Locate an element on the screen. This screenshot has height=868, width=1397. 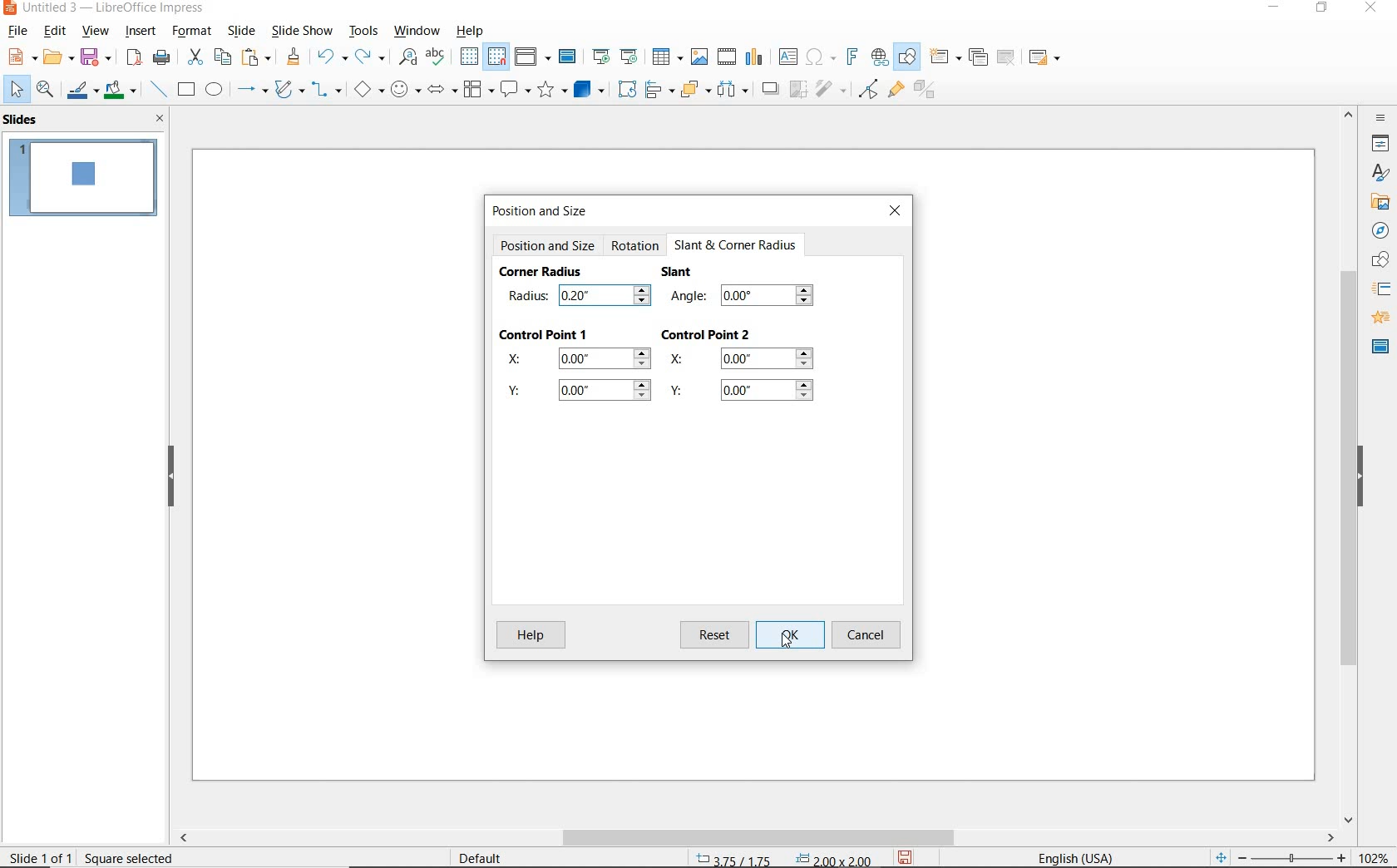
rectangle is located at coordinates (186, 89).